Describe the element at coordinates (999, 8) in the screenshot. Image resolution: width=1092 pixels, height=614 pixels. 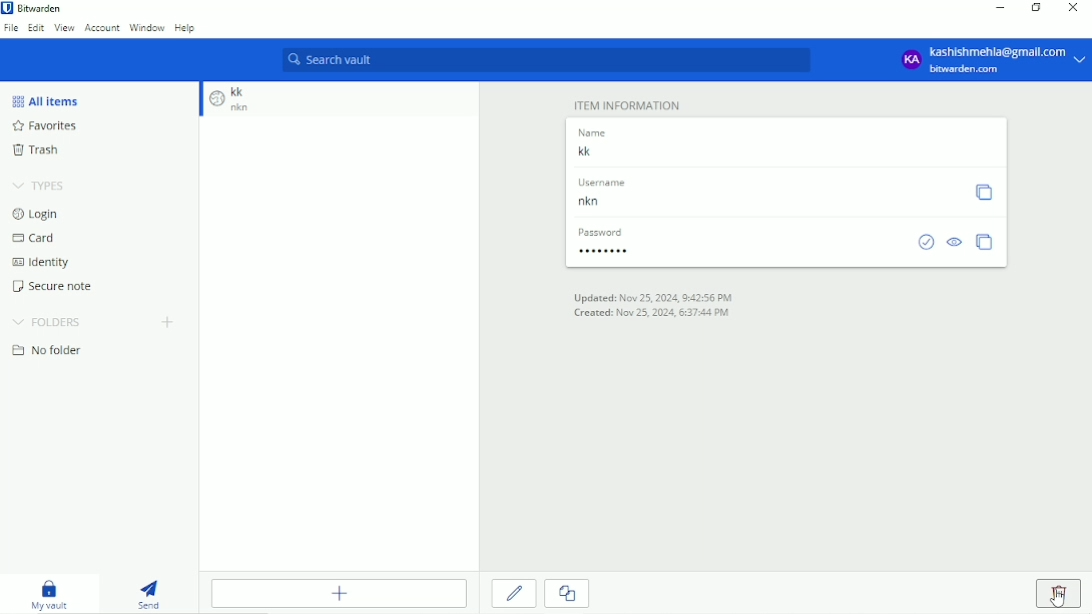
I see `Minimize` at that location.